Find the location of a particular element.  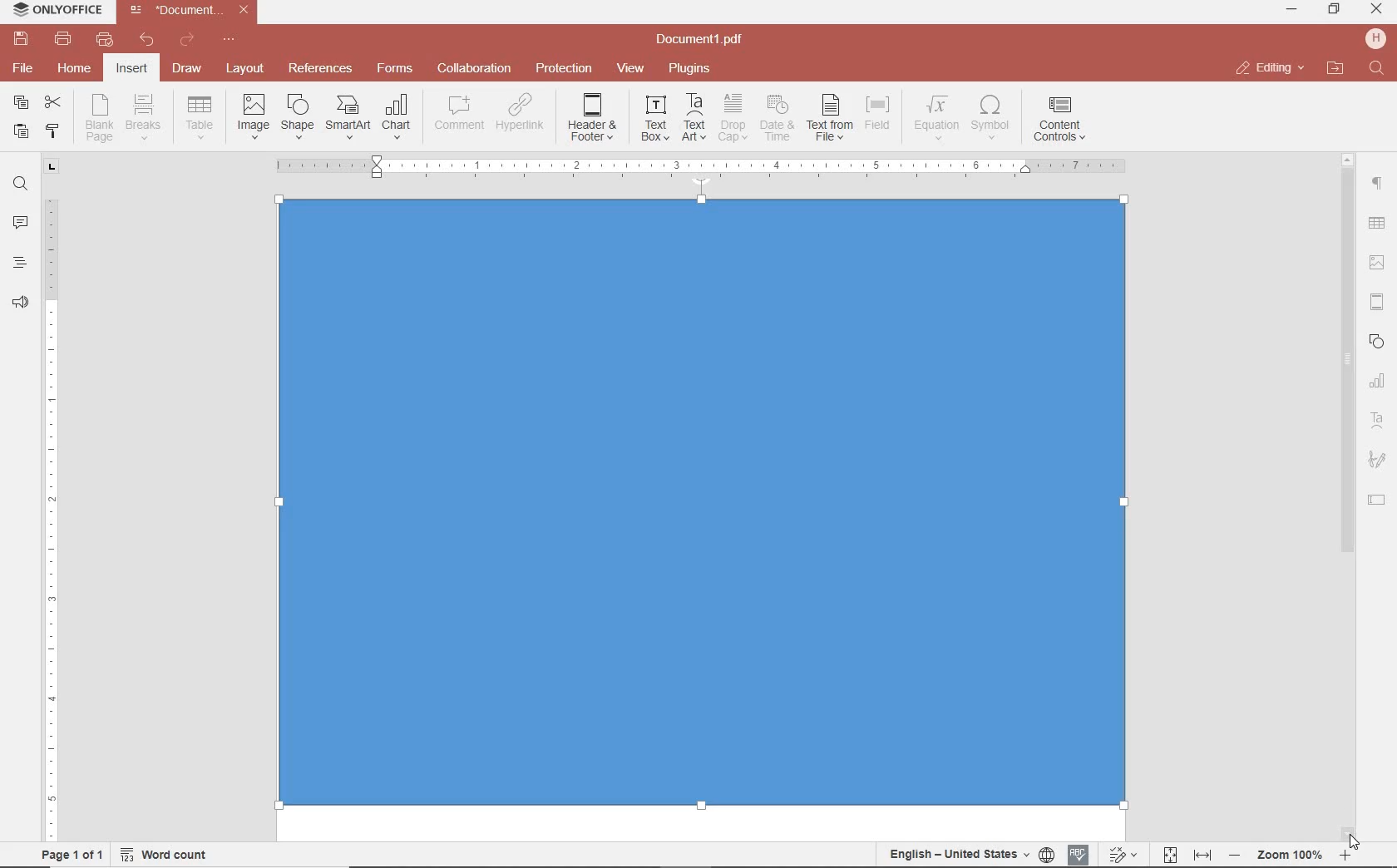

tab stop is located at coordinates (52, 165).